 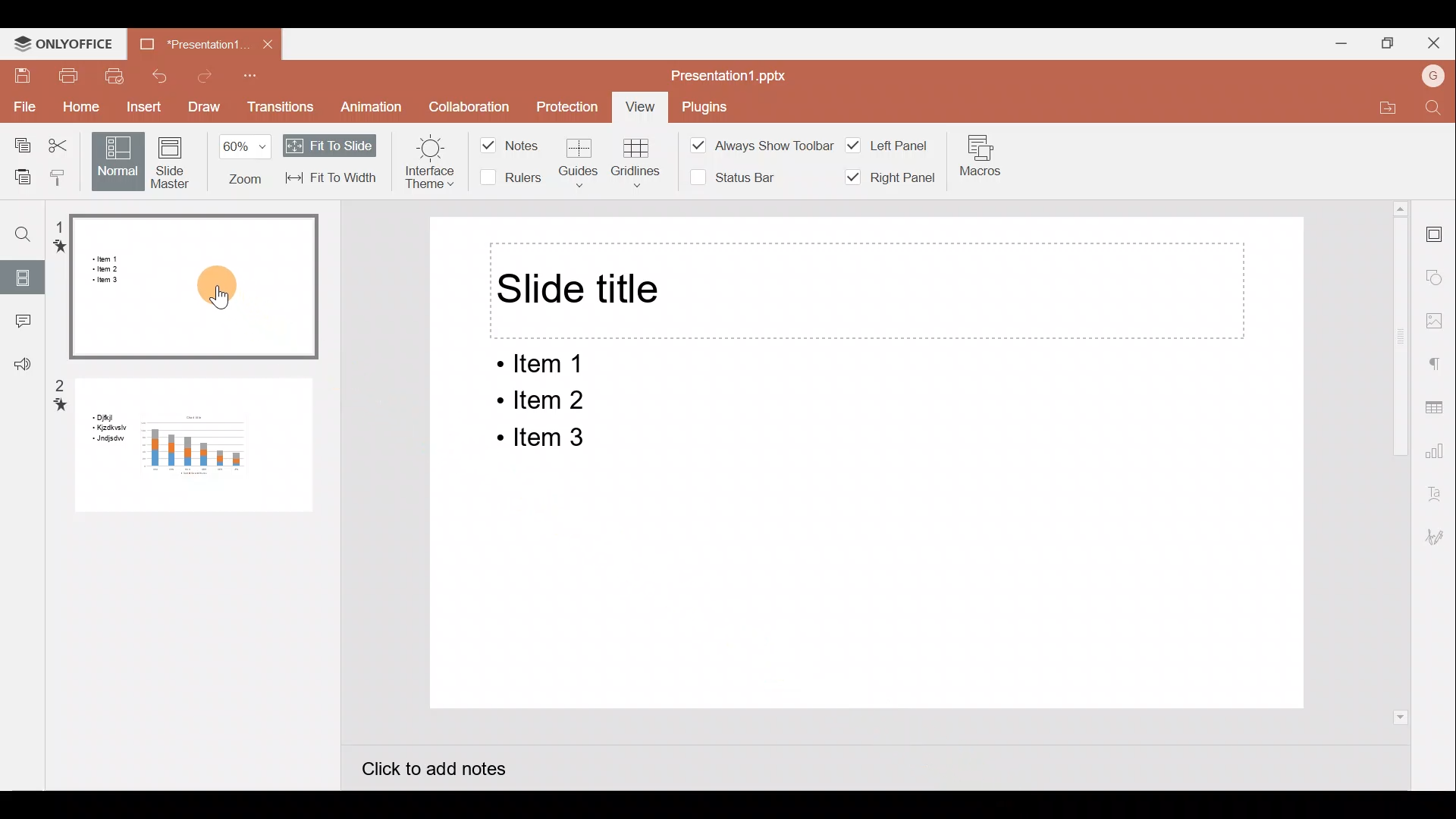 I want to click on Macros, so click(x=980, y=161).